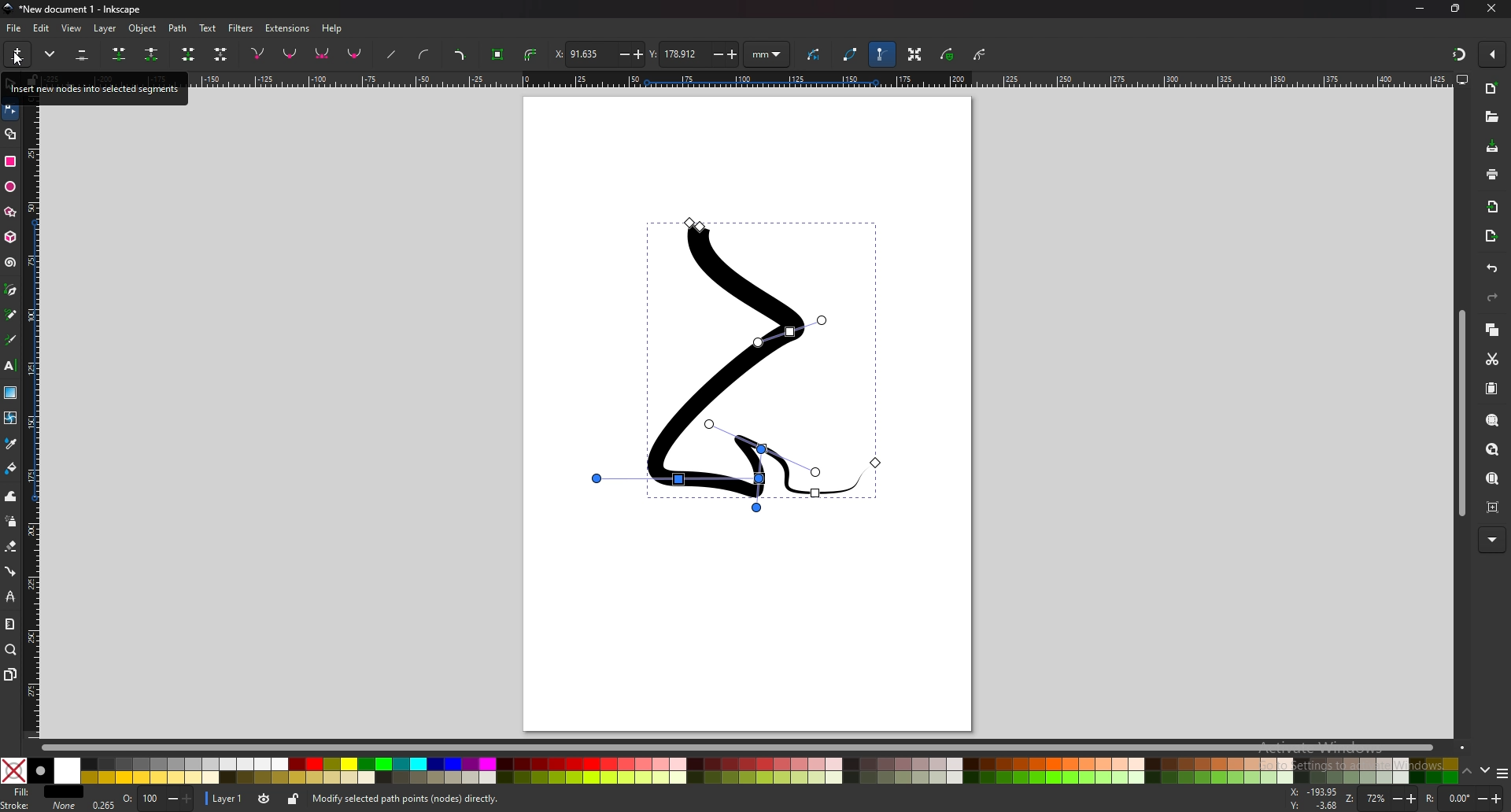  I want to click on redo, so click(1492, 297).